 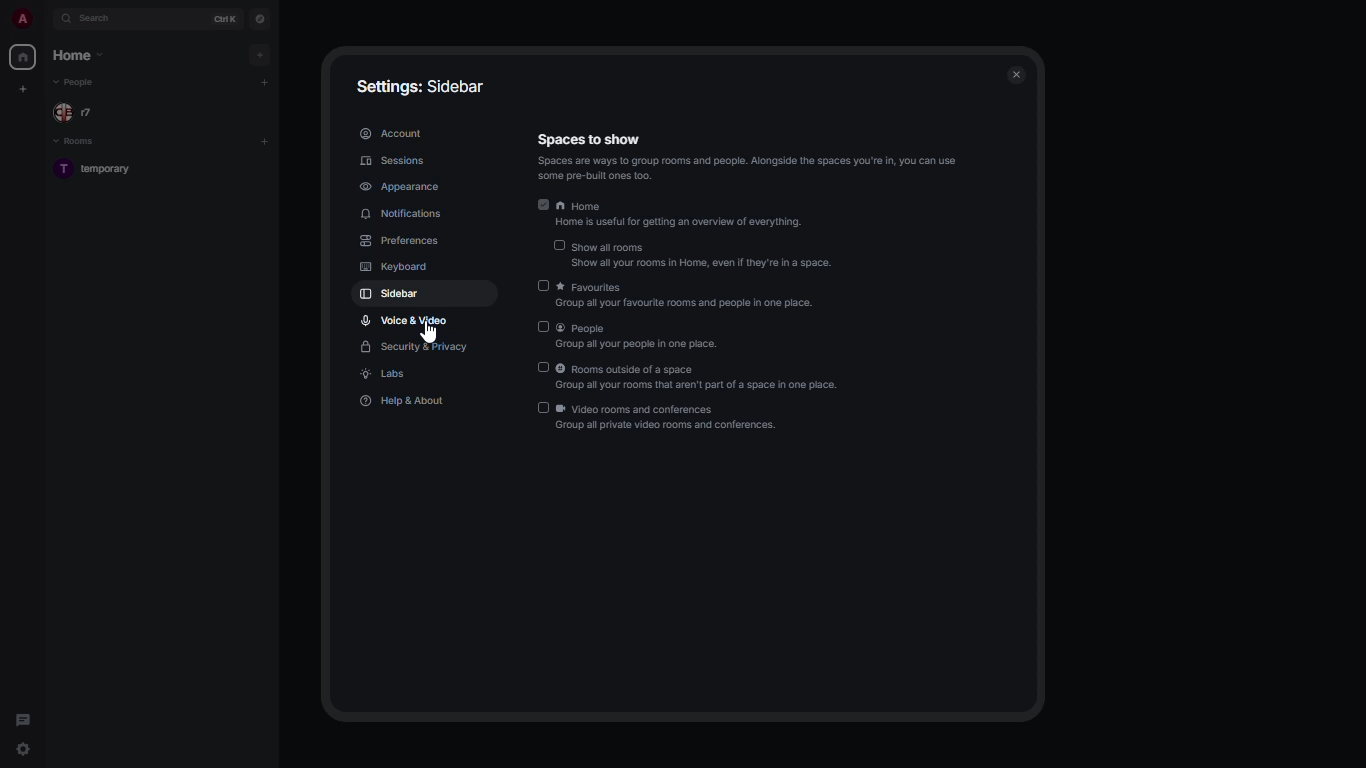 What do you see at coordinates (561, 247) in the screenshot?
I see `disabled` at bounding box center [561, 247].